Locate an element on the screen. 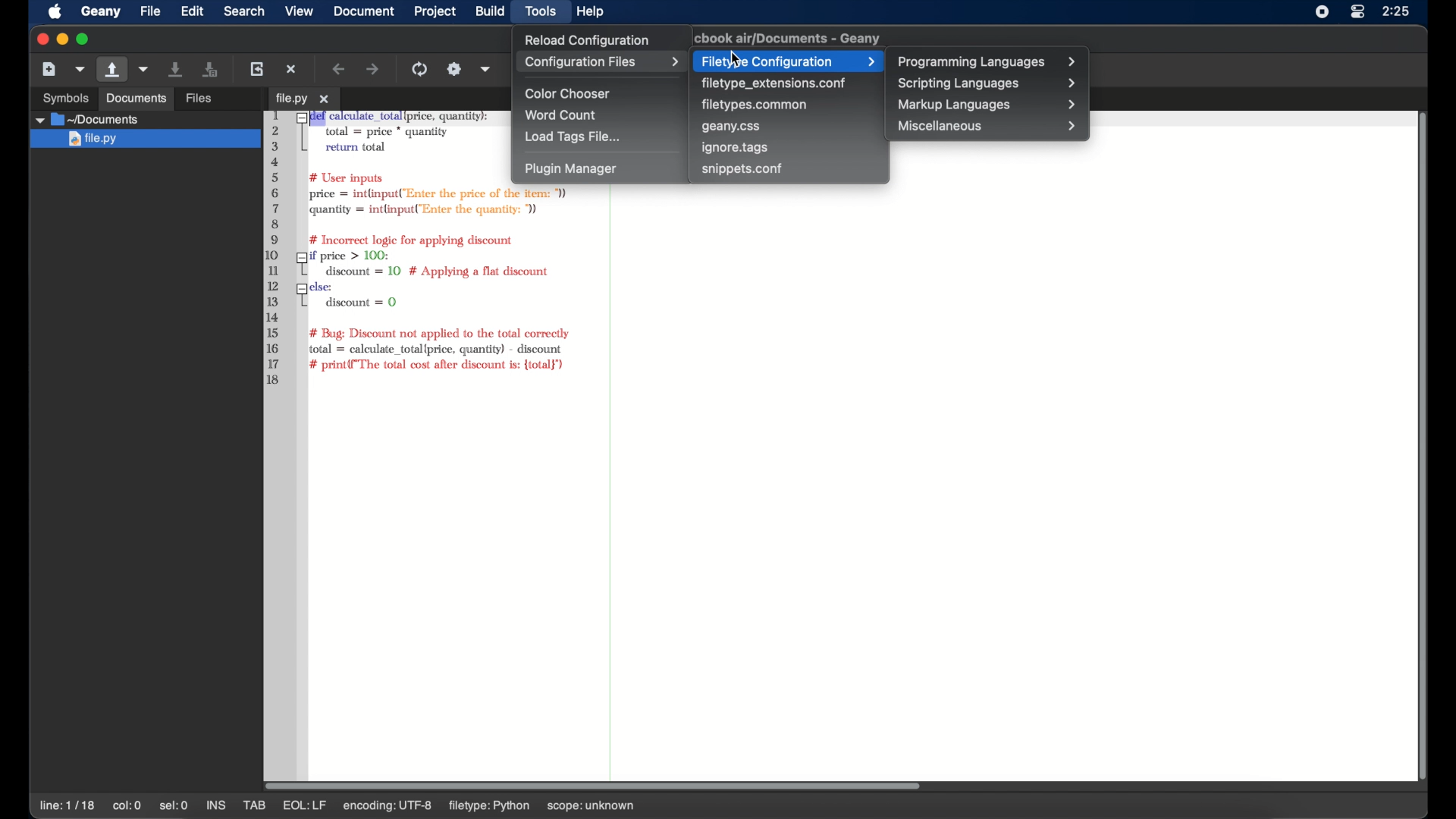 This screenshot has height=819, width=1456. project is located at coordinates (436, 11).